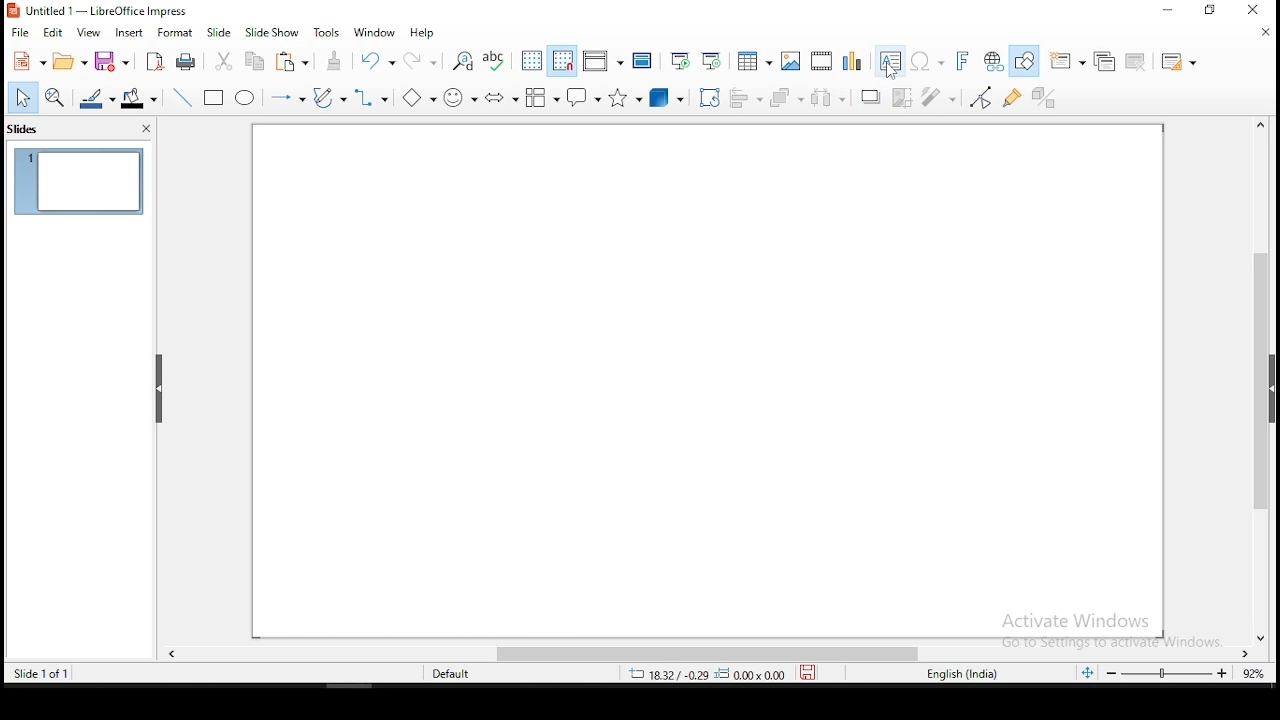 The height and width of the screenshot is (720, 1280). I want to click on insert hyperlink, so click(991, 59).